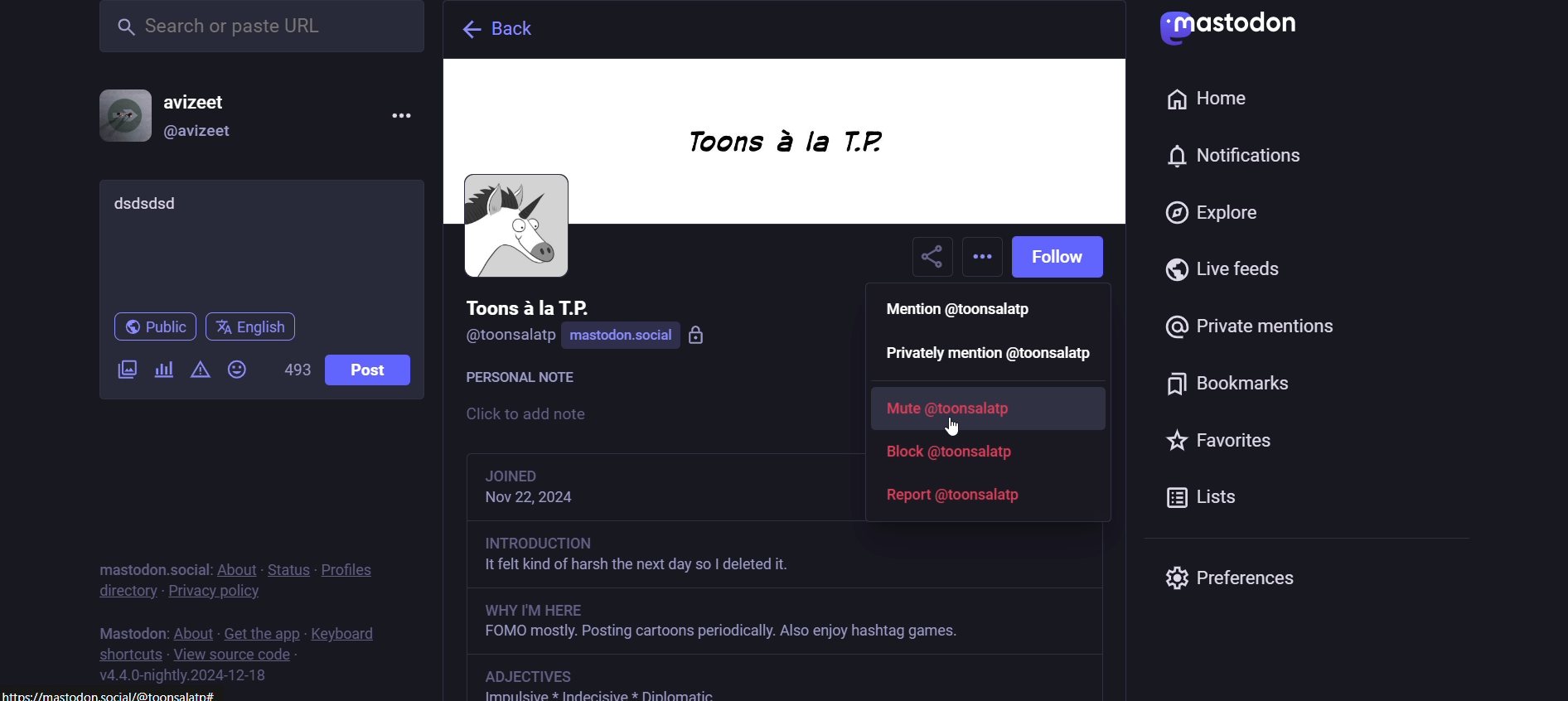 This screenshot has height=701, width=1568. What do you see at coordinates (207, 135) in the screenshot?
I see `@username` at bounding box center [207, 135].